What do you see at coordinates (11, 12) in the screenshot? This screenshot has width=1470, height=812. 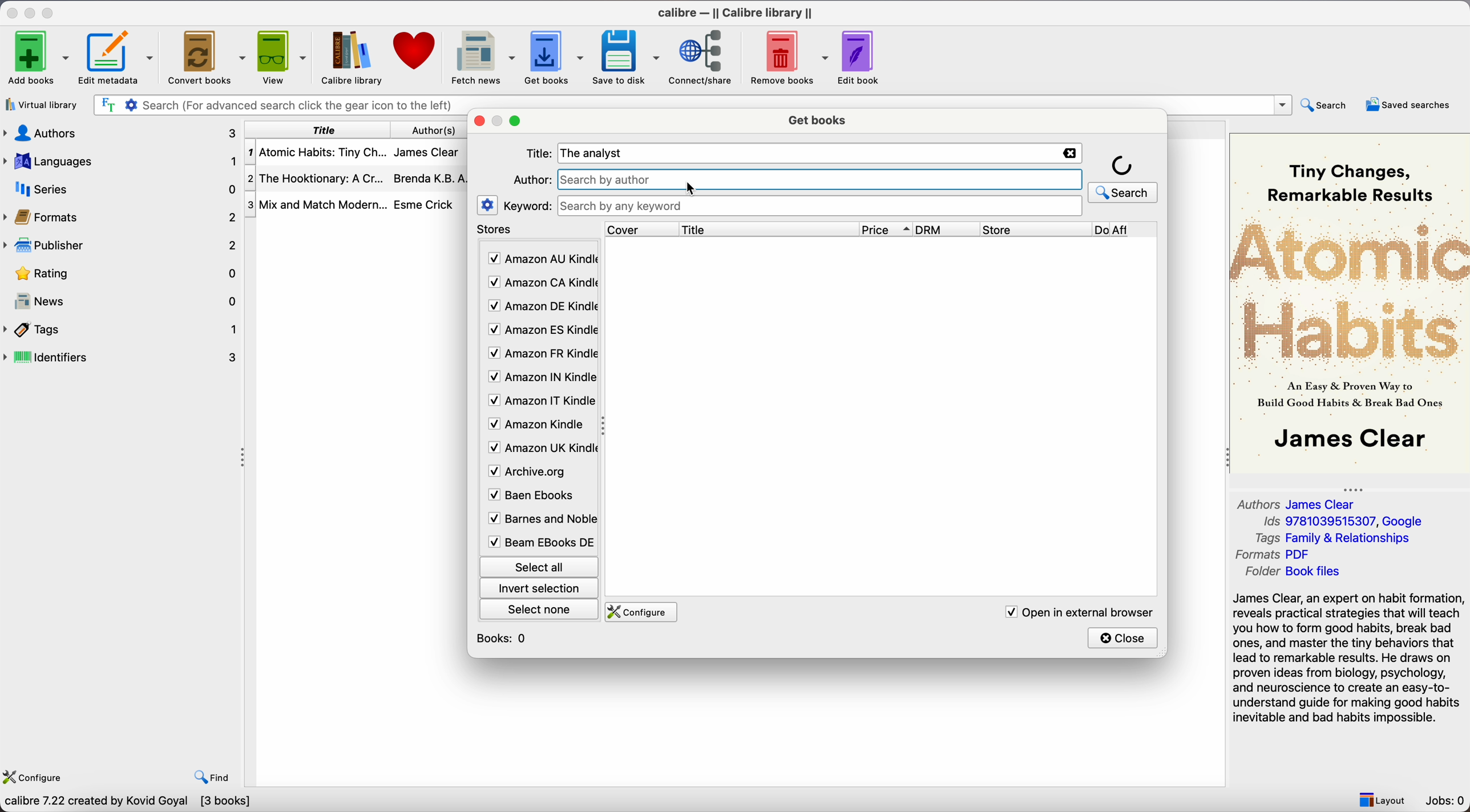 I see `close app` at bounding box center [11, 12].